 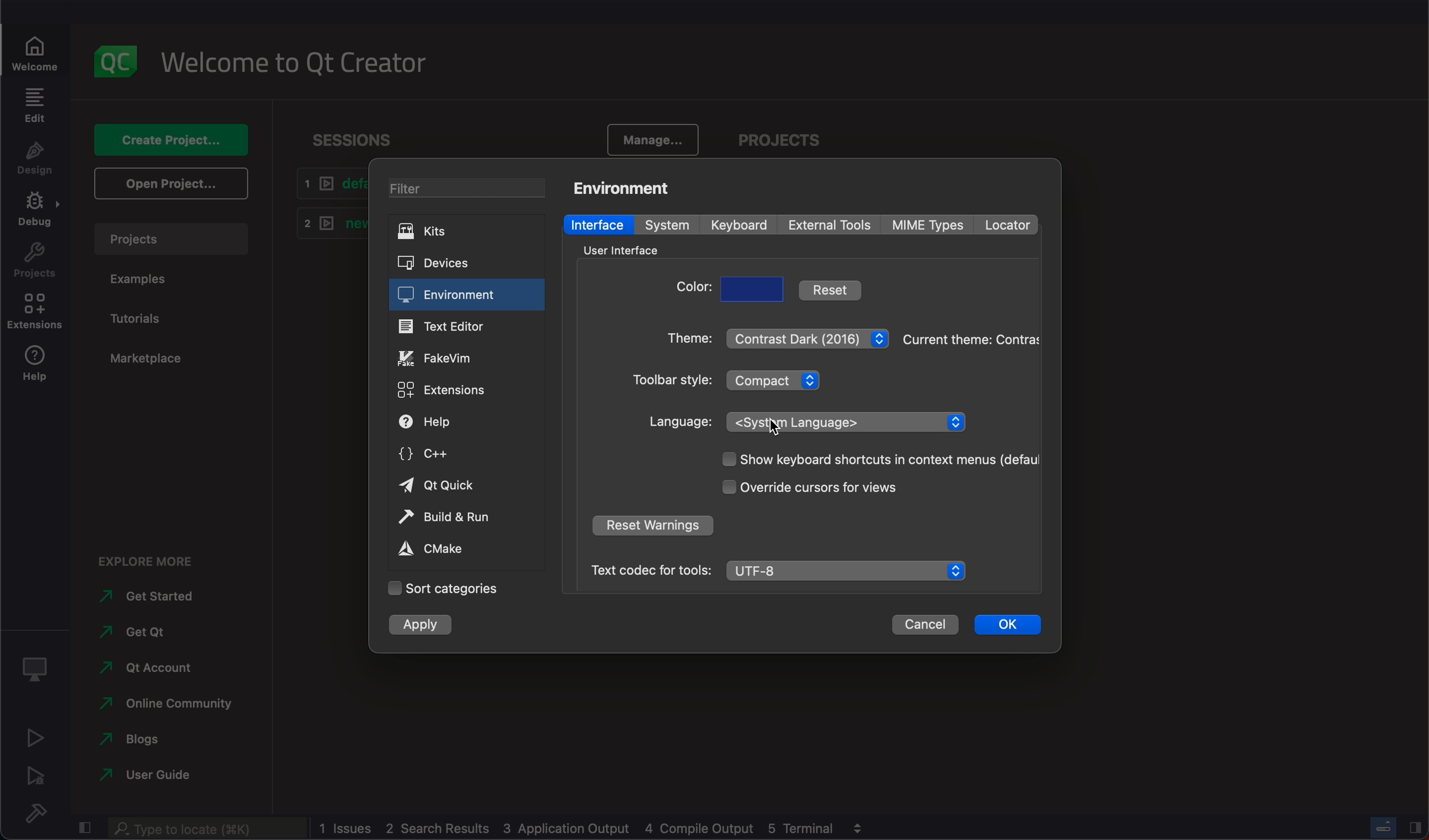 I want to click on build, so click(x=35, y=813).